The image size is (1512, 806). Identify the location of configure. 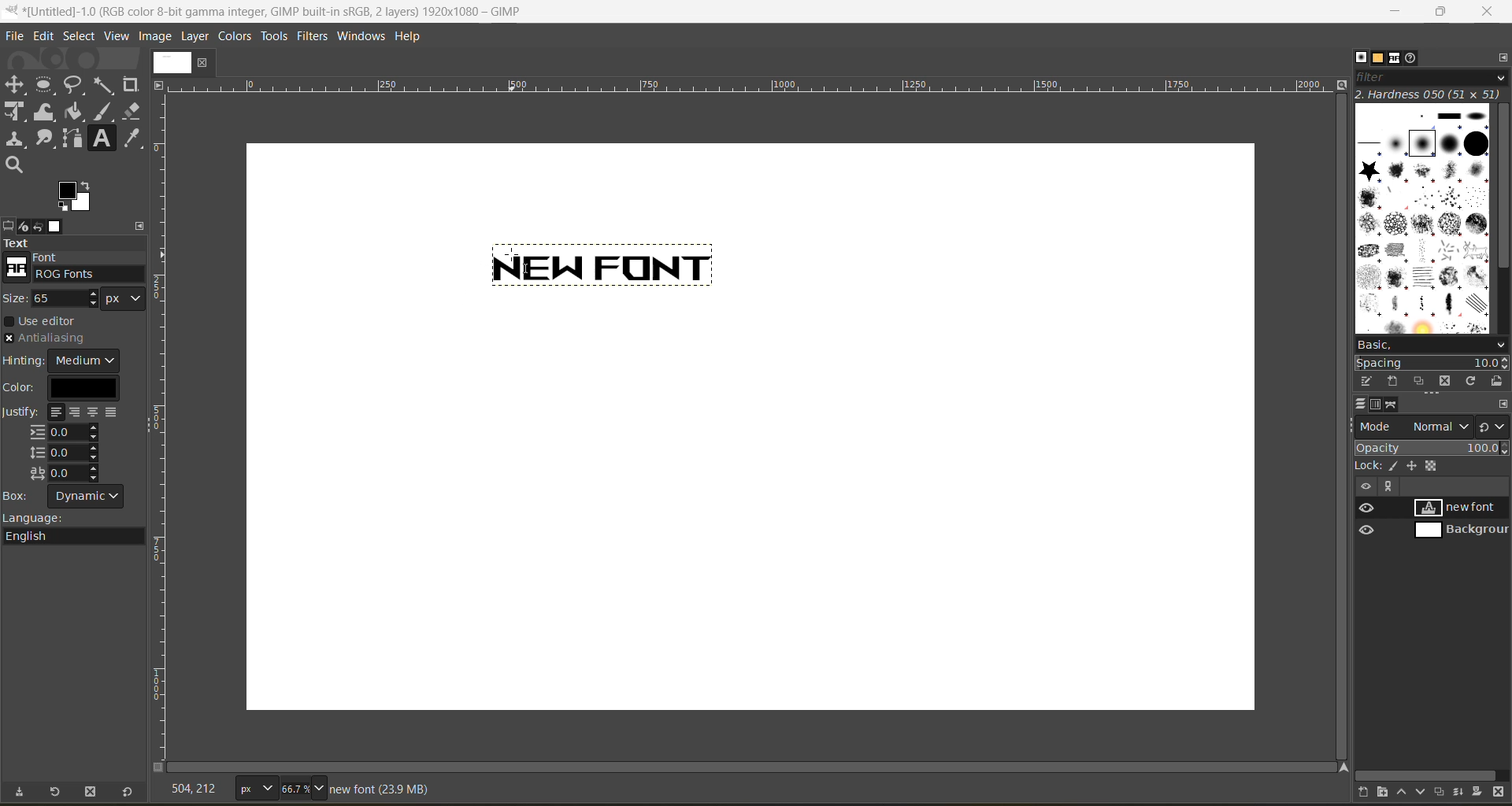
(1503, 60).